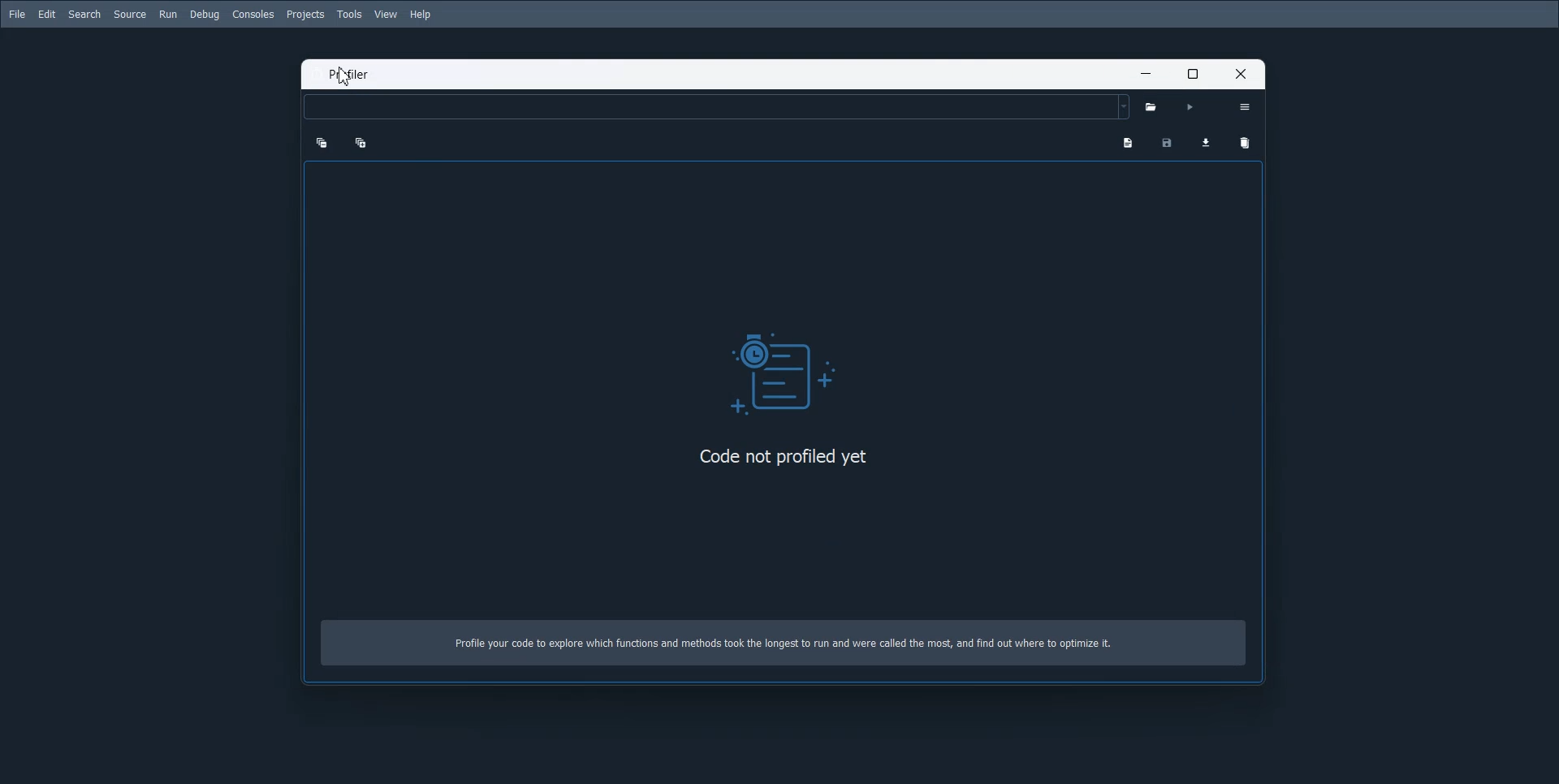 This screenshot has width=1559, height=784. What do you see at coordinates (1244, 106) in the screenshot?
I see `Option` at bounding box center [1244, 106].